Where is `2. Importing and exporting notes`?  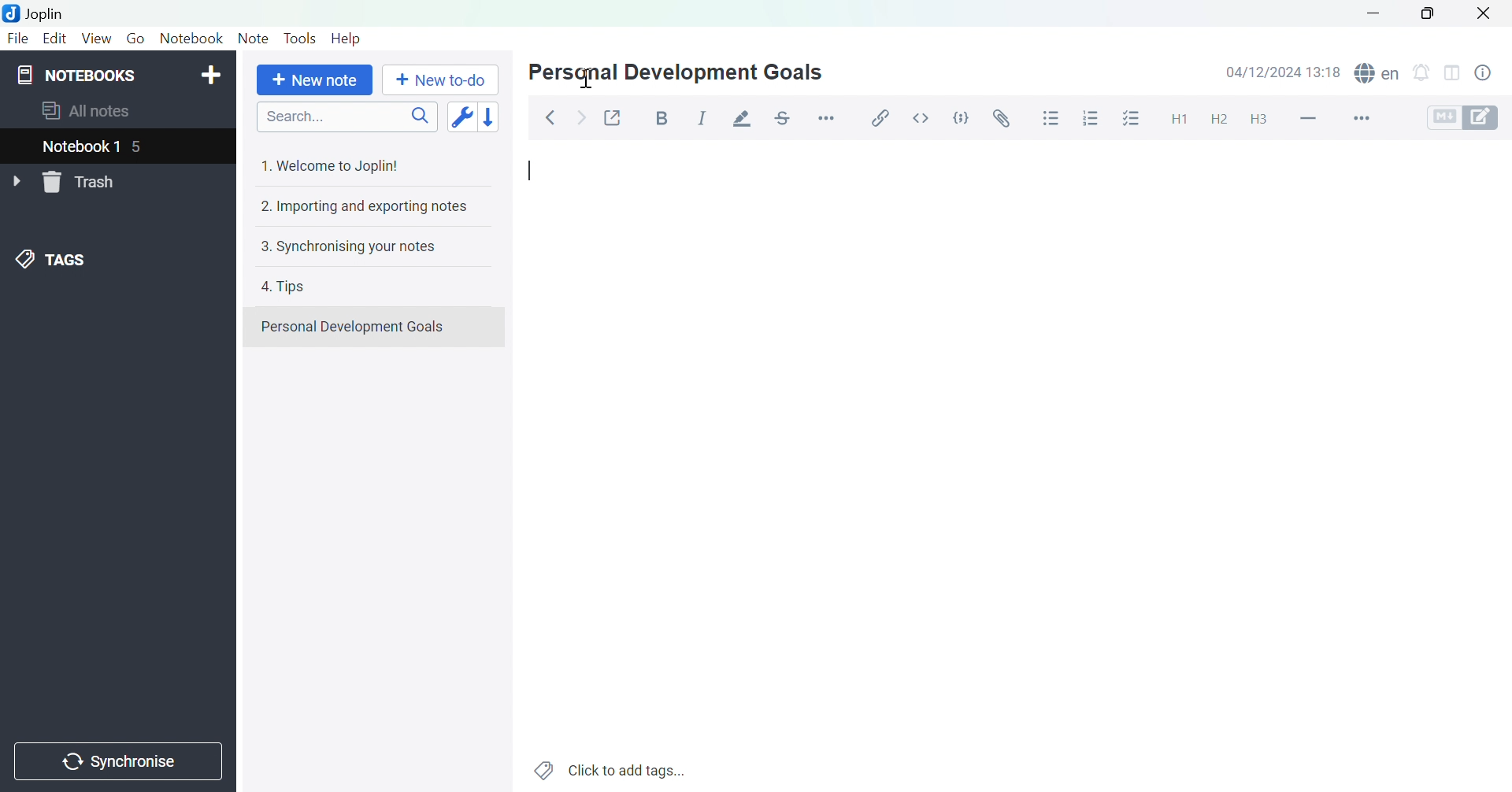 2. Importing and exporting notes is located at coordinates (362, 207).